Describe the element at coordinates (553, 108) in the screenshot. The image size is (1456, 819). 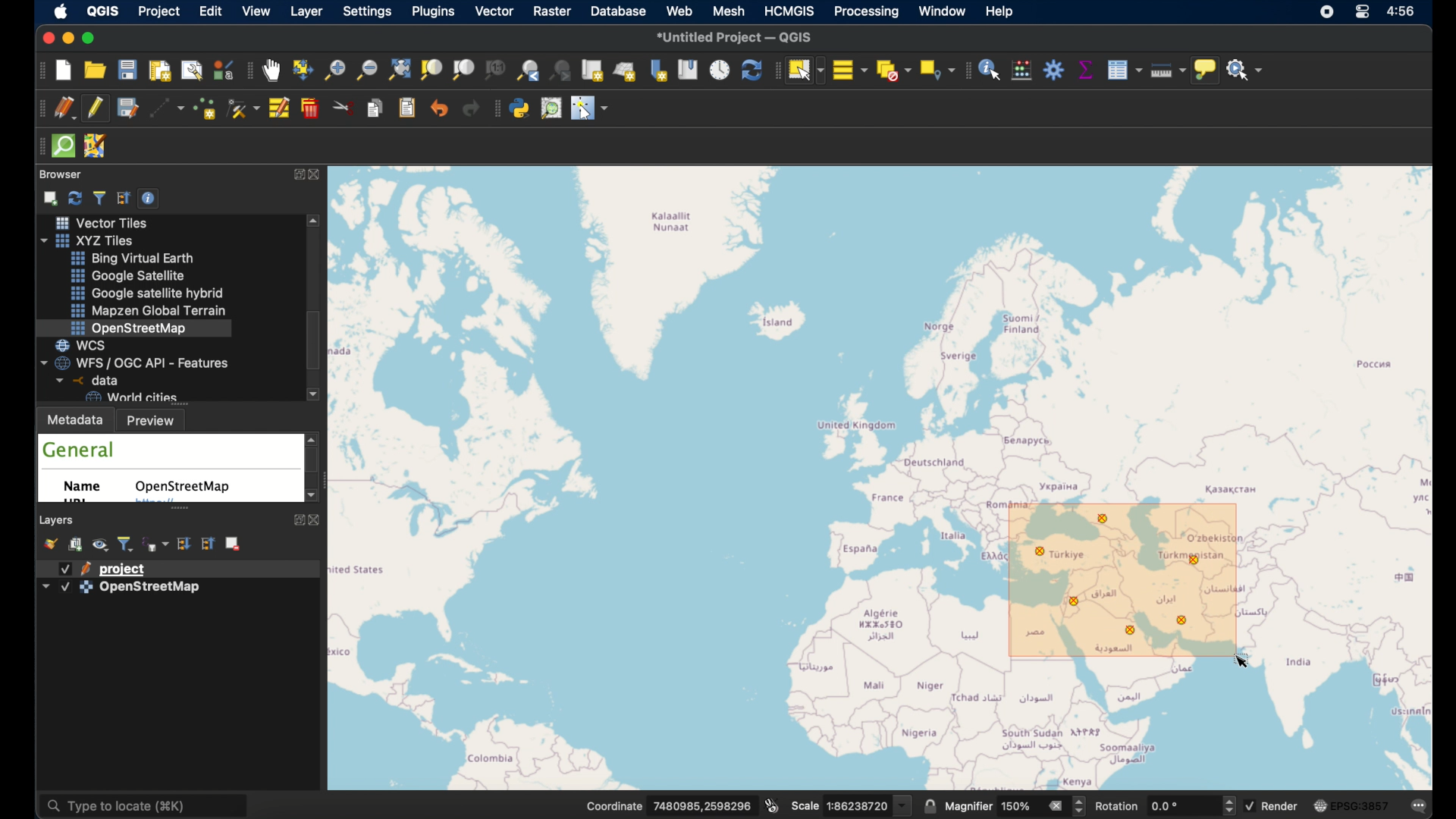
I see `osm place search` at that location.